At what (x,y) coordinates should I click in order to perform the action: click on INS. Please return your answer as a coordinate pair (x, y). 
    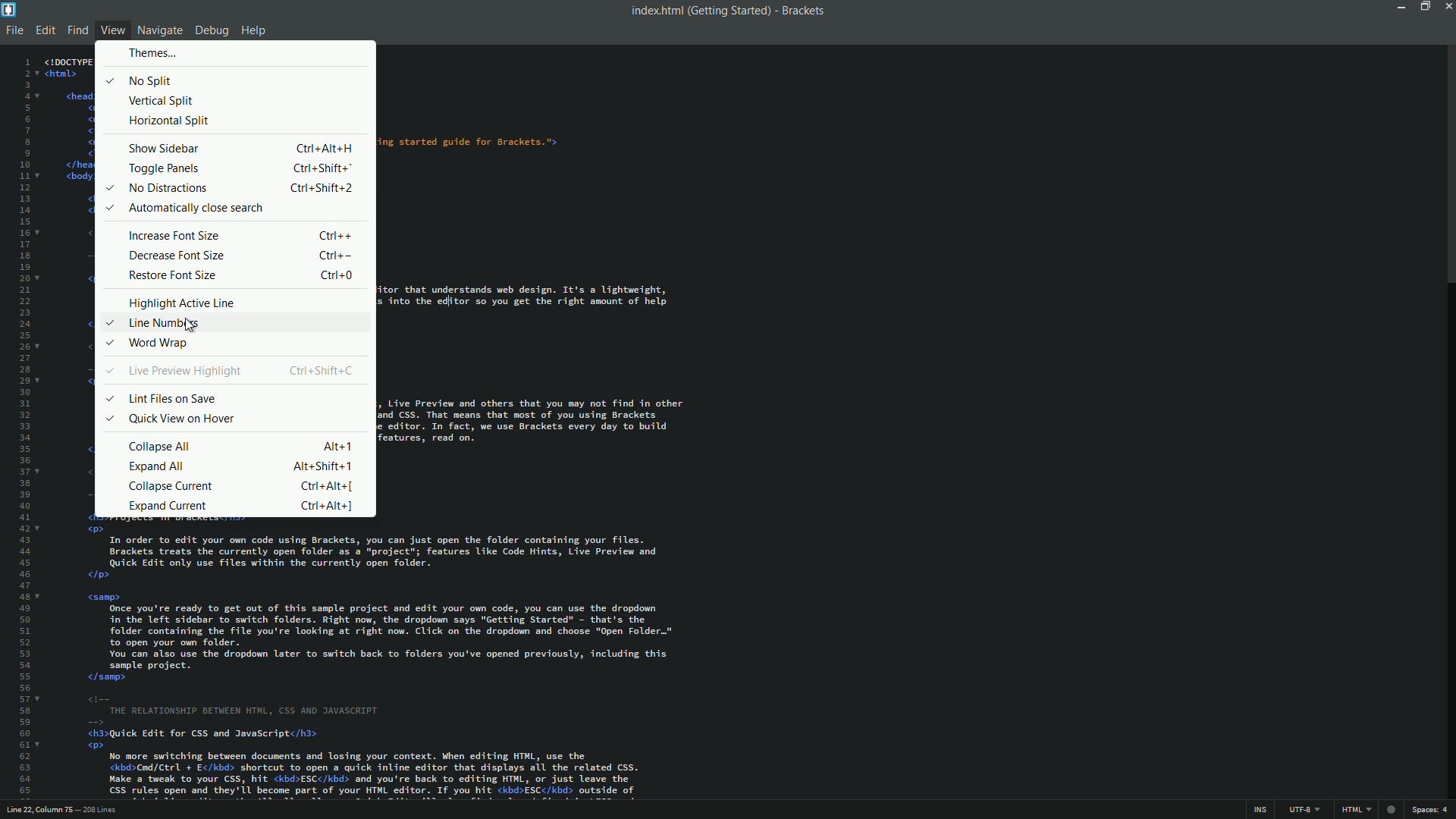
    Looking at the image, I should click on (1259, 810).